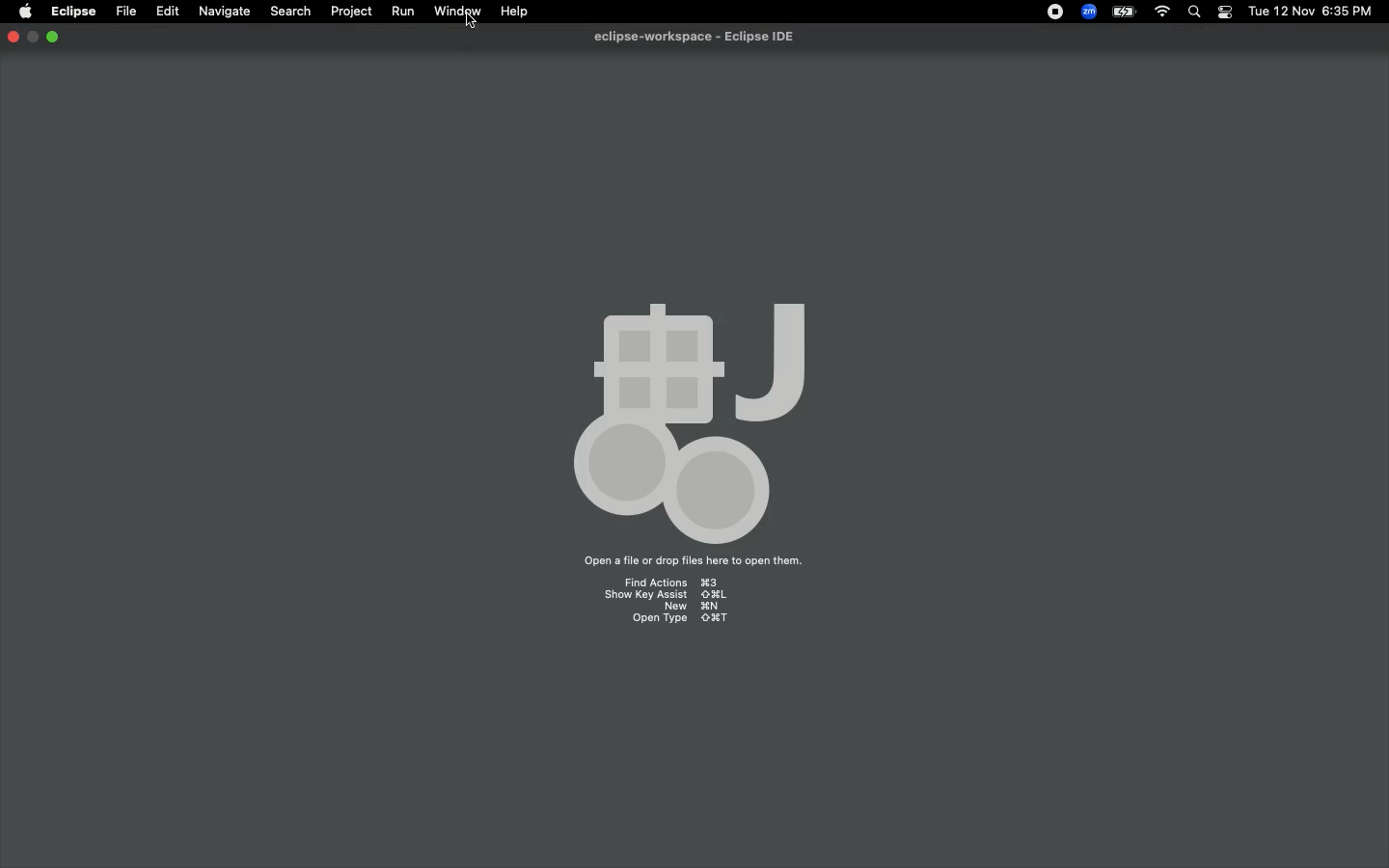 The height and width of the screenshot is (868, 1389). What do you see at coordinates (453, 11) in the screenshot?
I see `Window` at bounding box center [453, 11].